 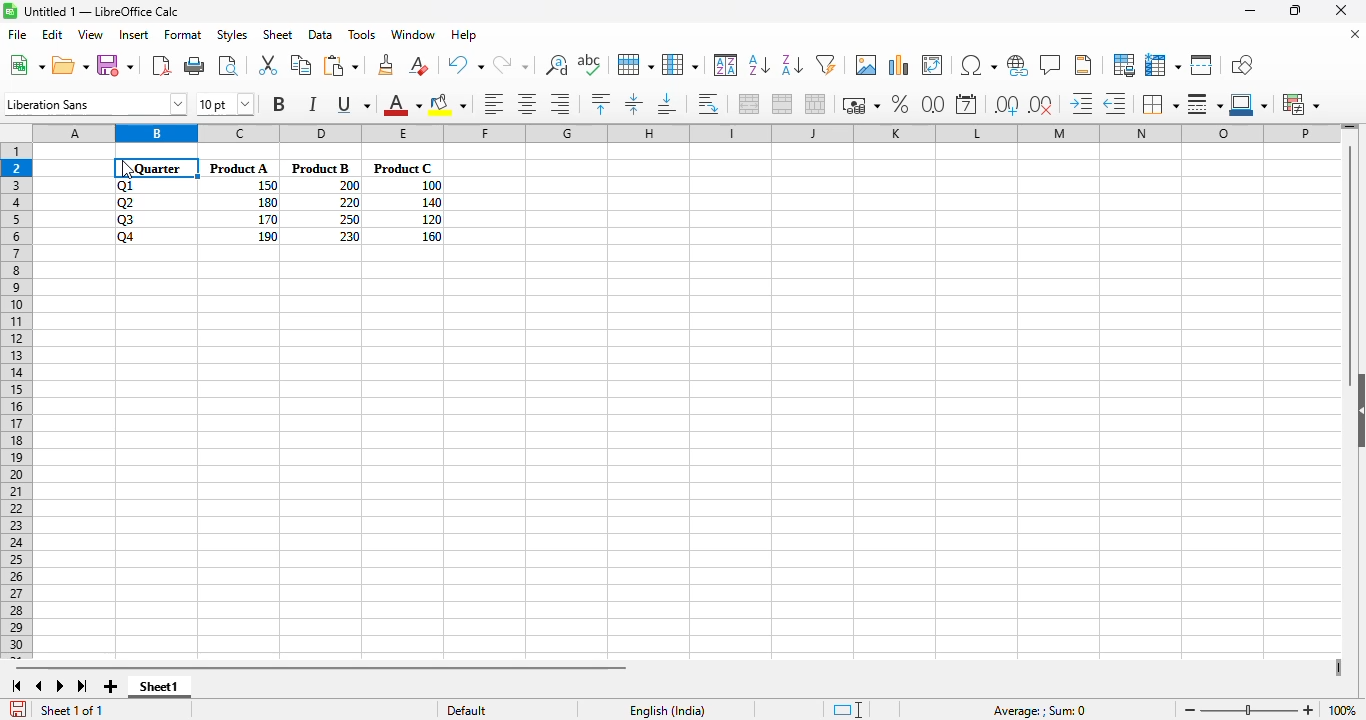 What do you see at coordinates (636, 65) in the screenshot?
I see `row` at bounding box center [636, 65].